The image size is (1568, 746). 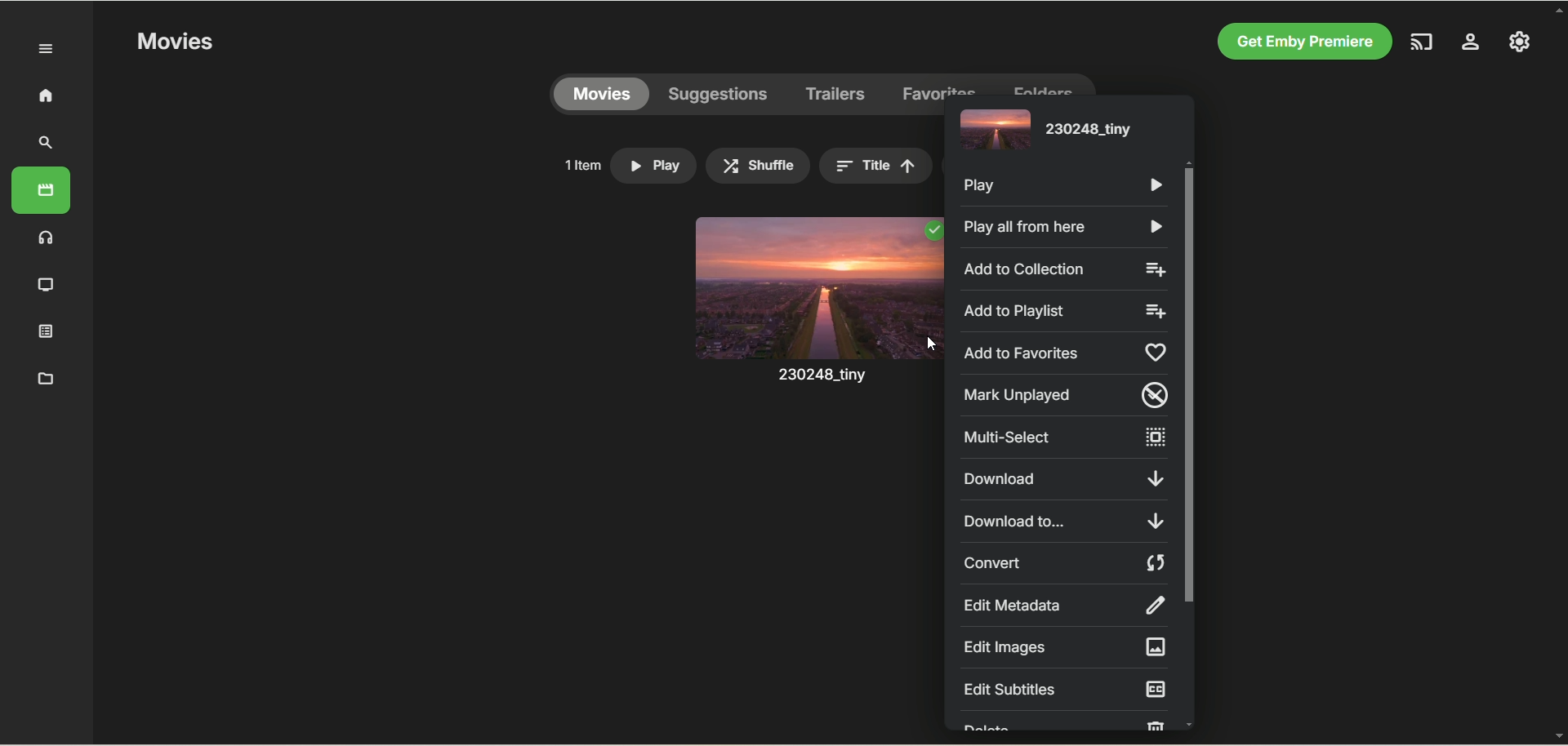 What do you see at coordinates (1067, 351) in the screenshot?
I see `add to favorites` at bounding box center [1067, 351].